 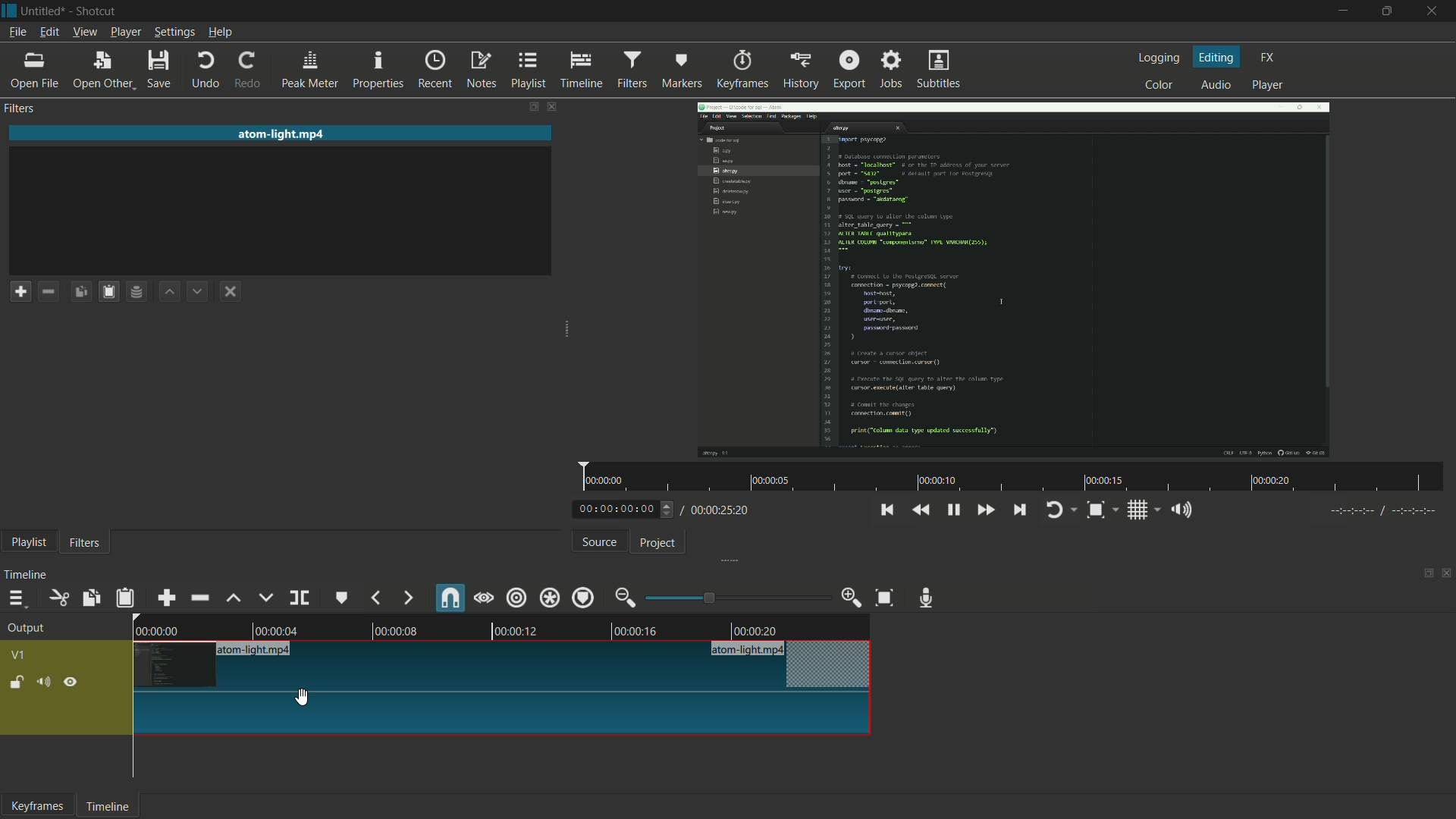 I want to click on open other, so click(x=102, y=69).